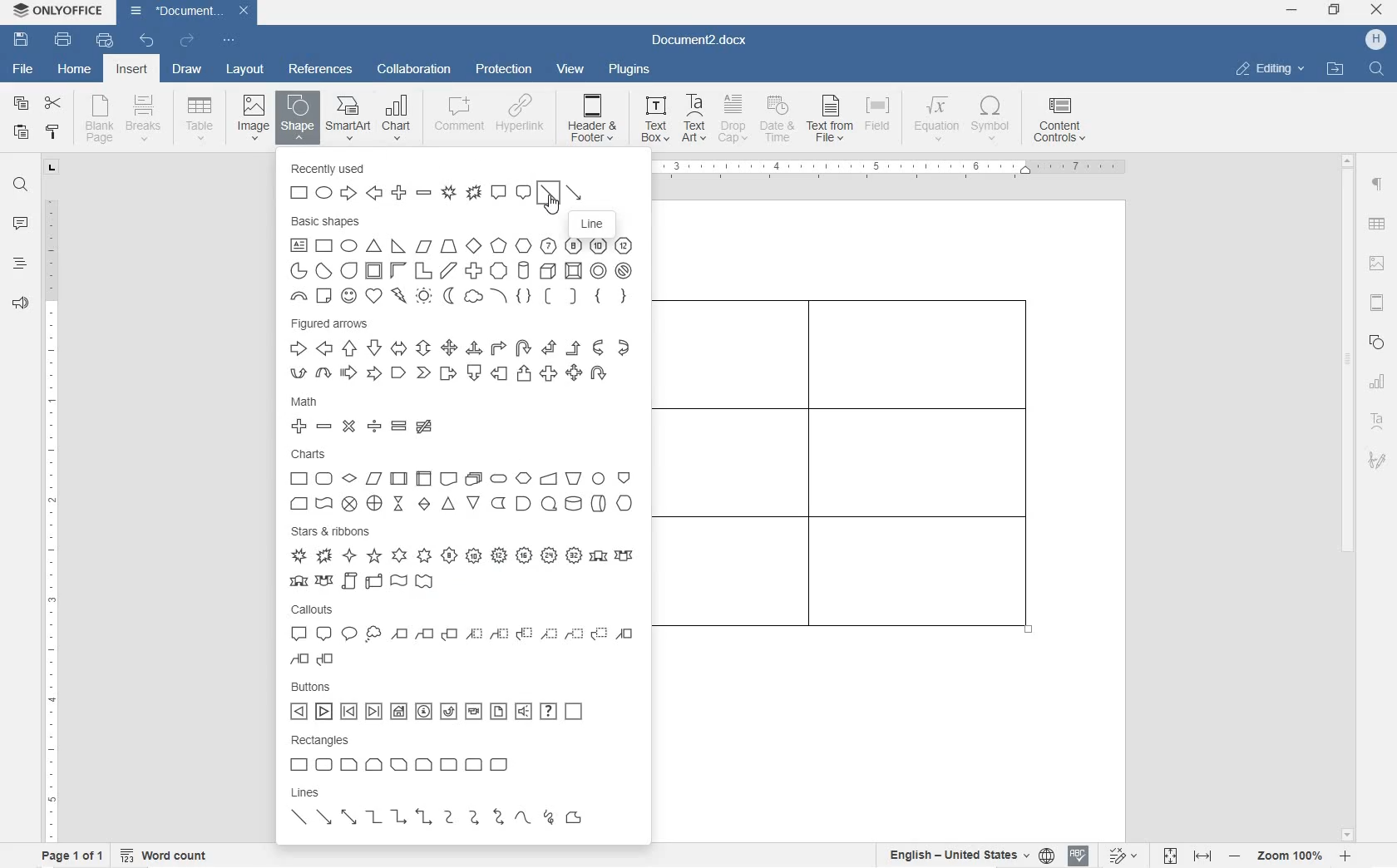  Describe the element at coordinates (1291, 856) in the screenshot. I see `zoom in or out` at that location.